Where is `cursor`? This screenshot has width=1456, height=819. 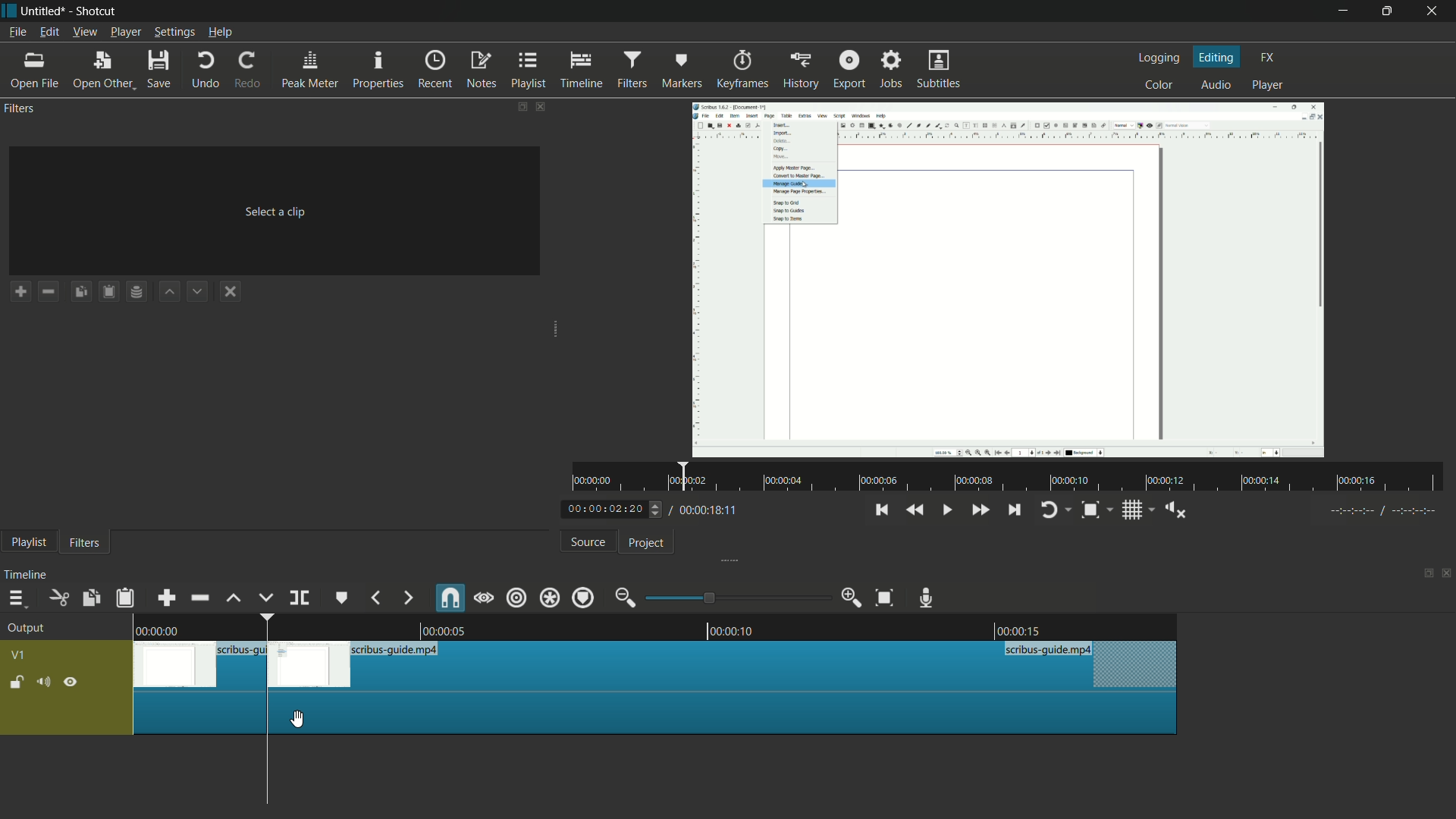 cursor is located at coordinates (298, 721).